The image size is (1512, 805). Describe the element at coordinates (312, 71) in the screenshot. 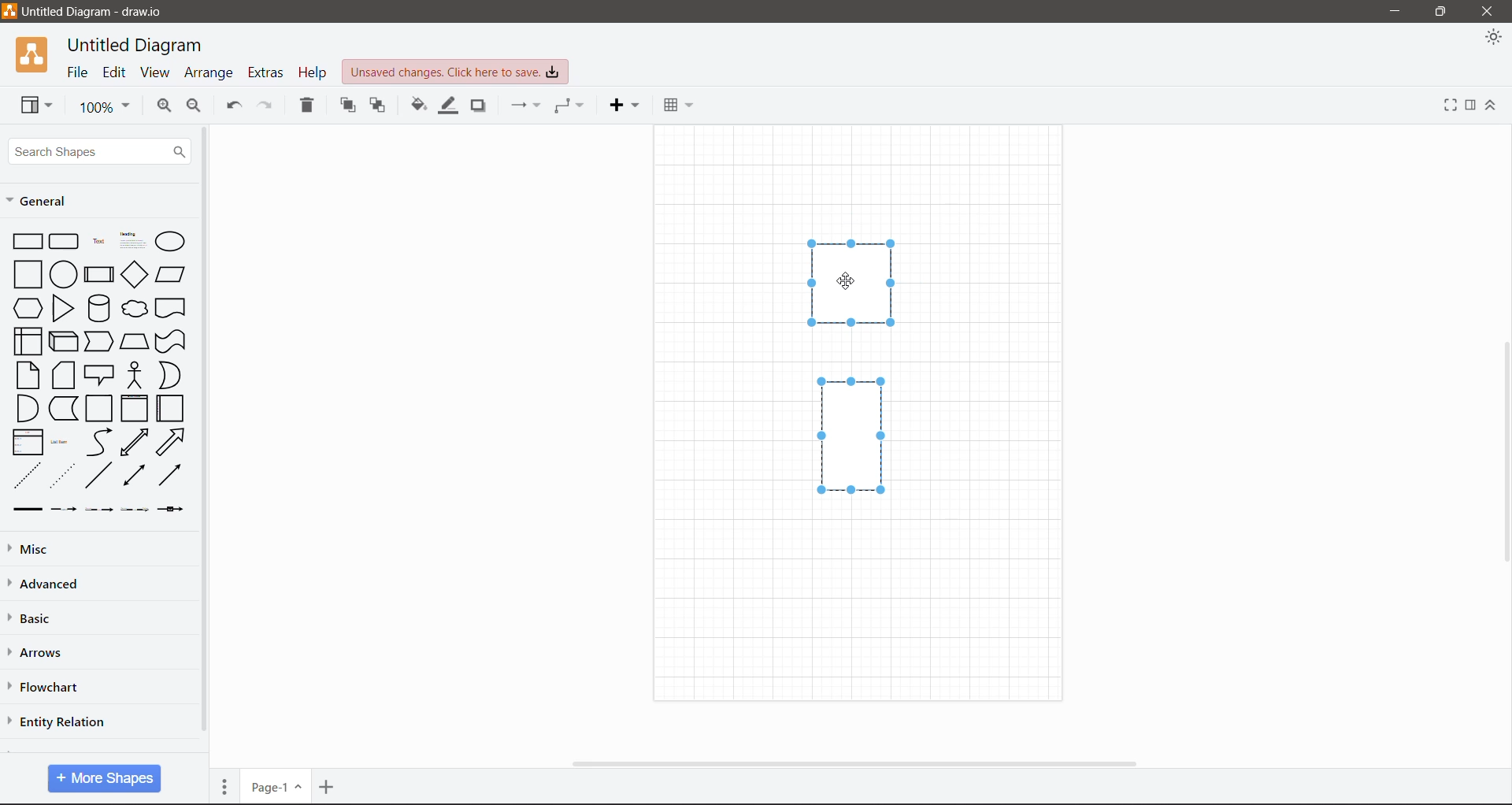

I see `Help` at that location.